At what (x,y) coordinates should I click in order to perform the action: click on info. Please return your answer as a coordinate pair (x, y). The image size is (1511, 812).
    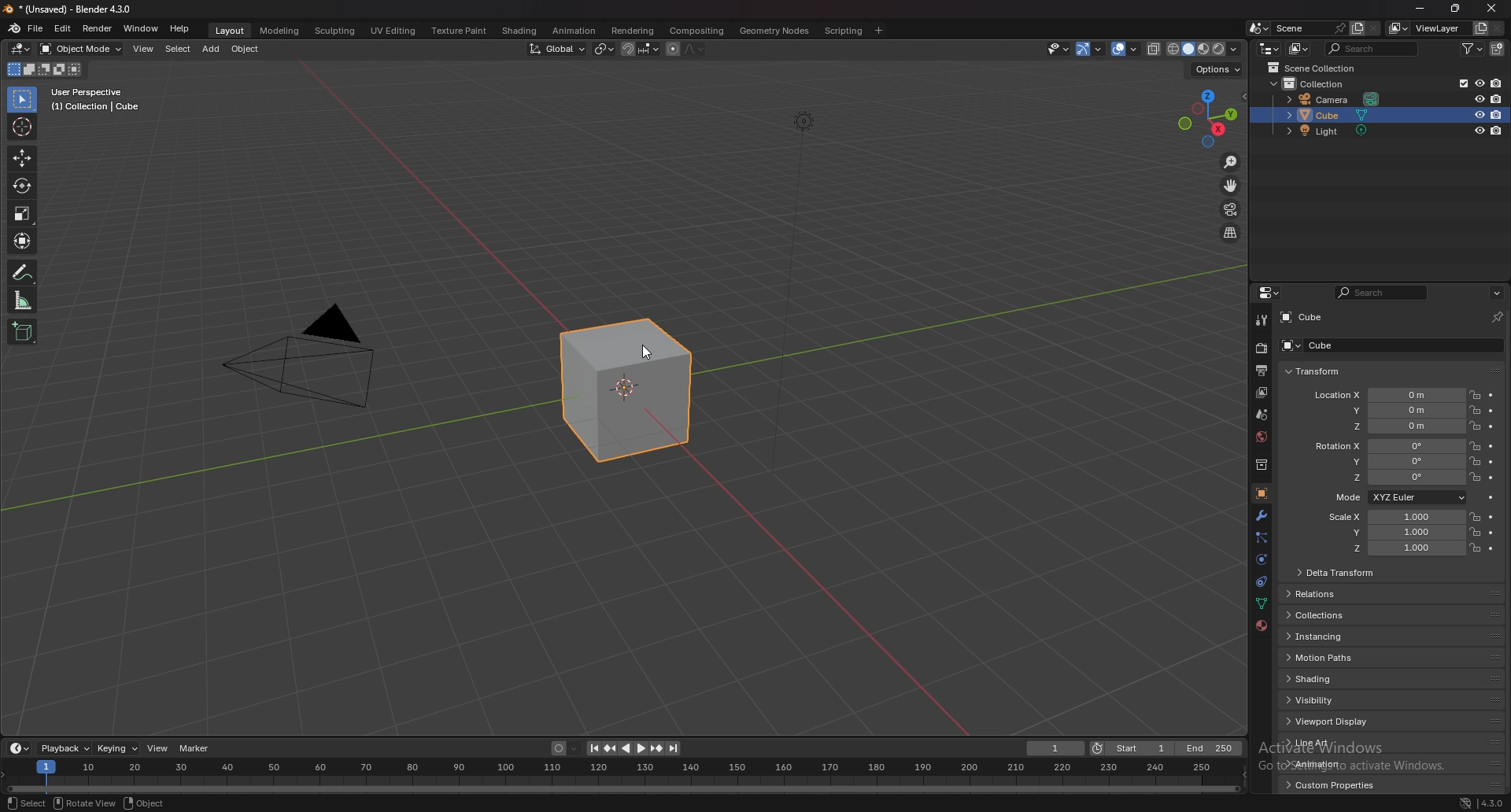
    Looking at the image, I should click on (99, 98).